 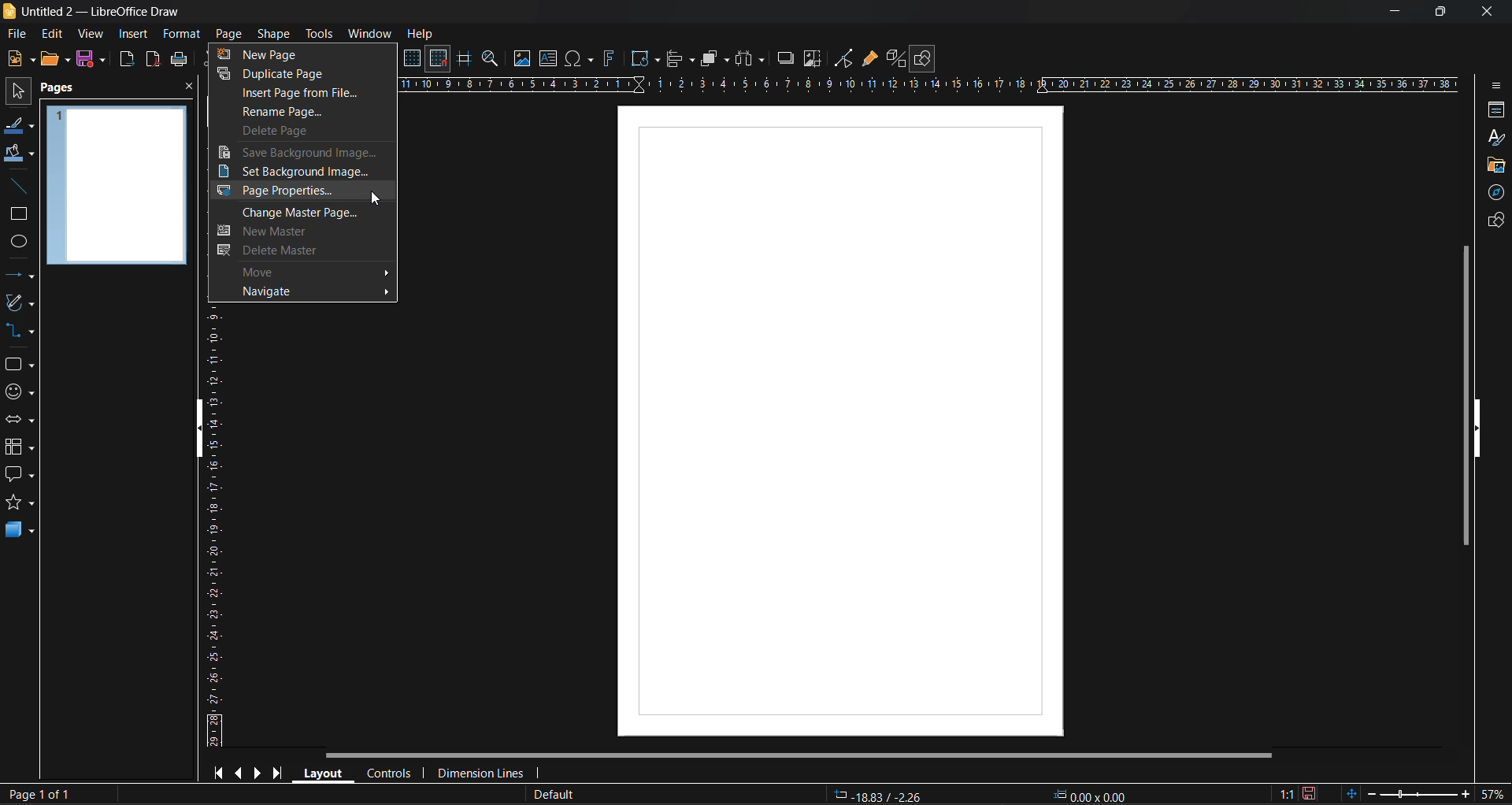 What do you see at coordinates (220, 774) in the screenshot?
I see `first ` at bounding box center [220, 774].